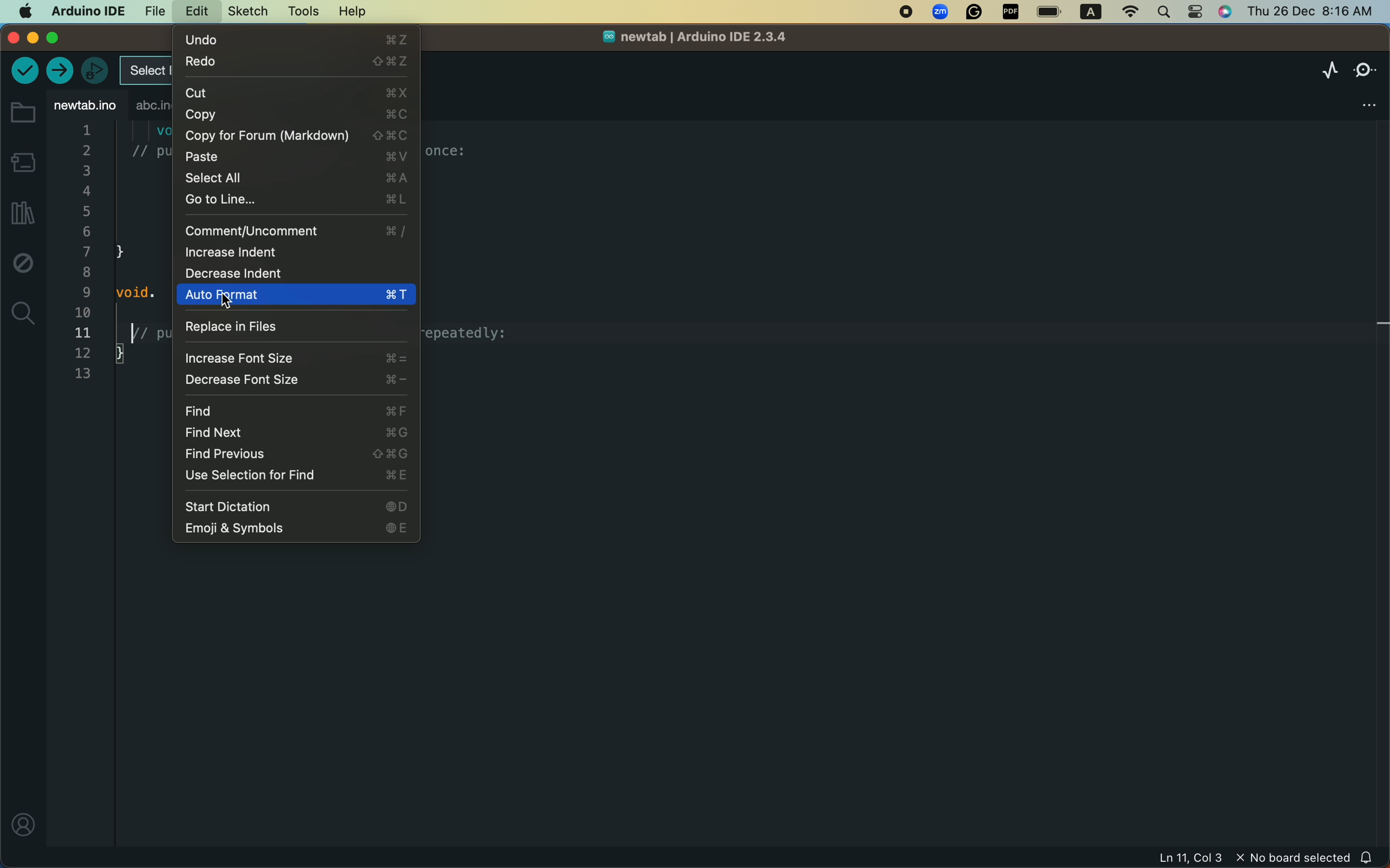 The height and width of the screenshot is (868, 1390). I want to click on file tab, so click(84, 106).